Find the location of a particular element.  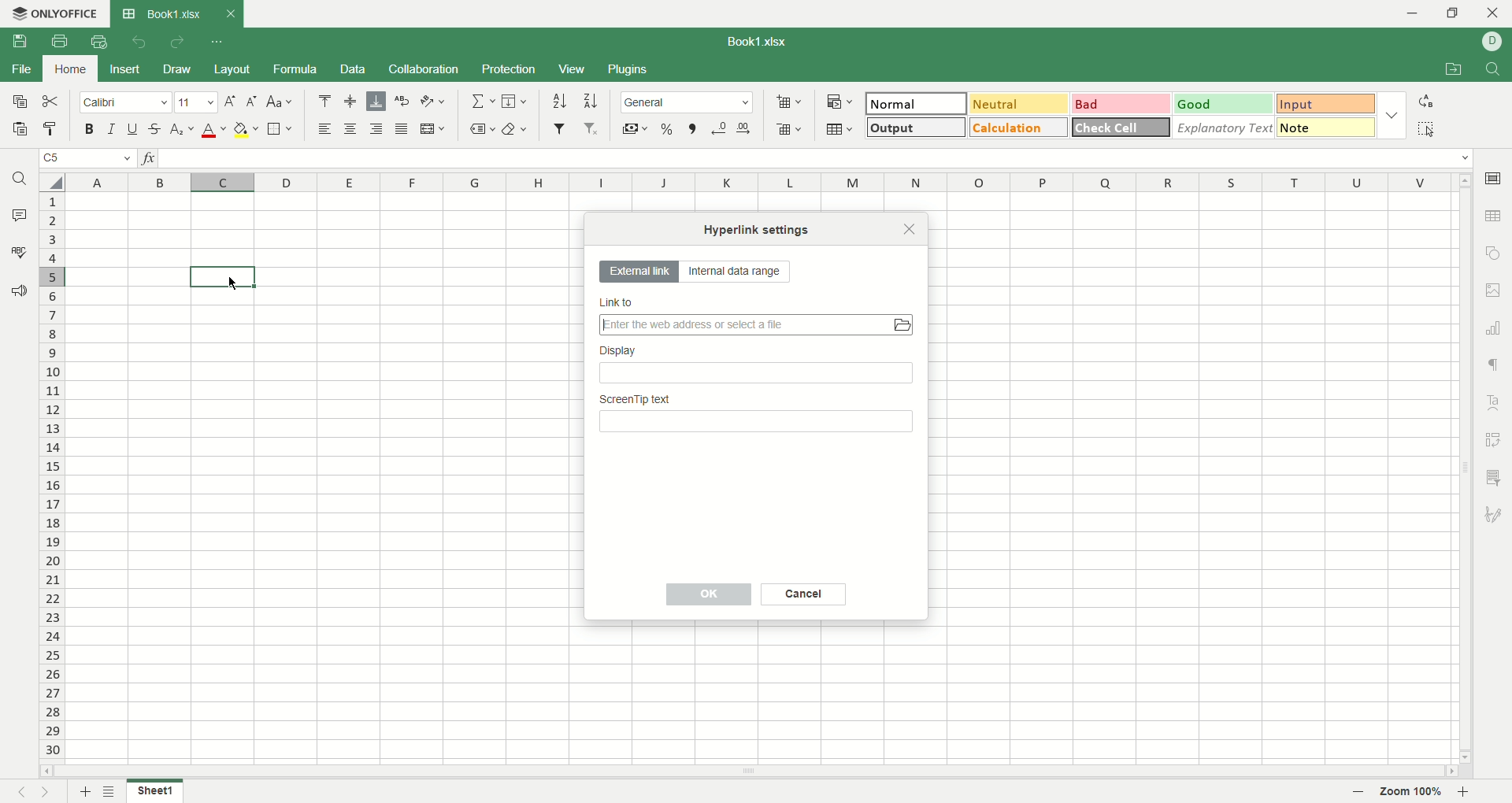

close is located at coordinates (910, 228).